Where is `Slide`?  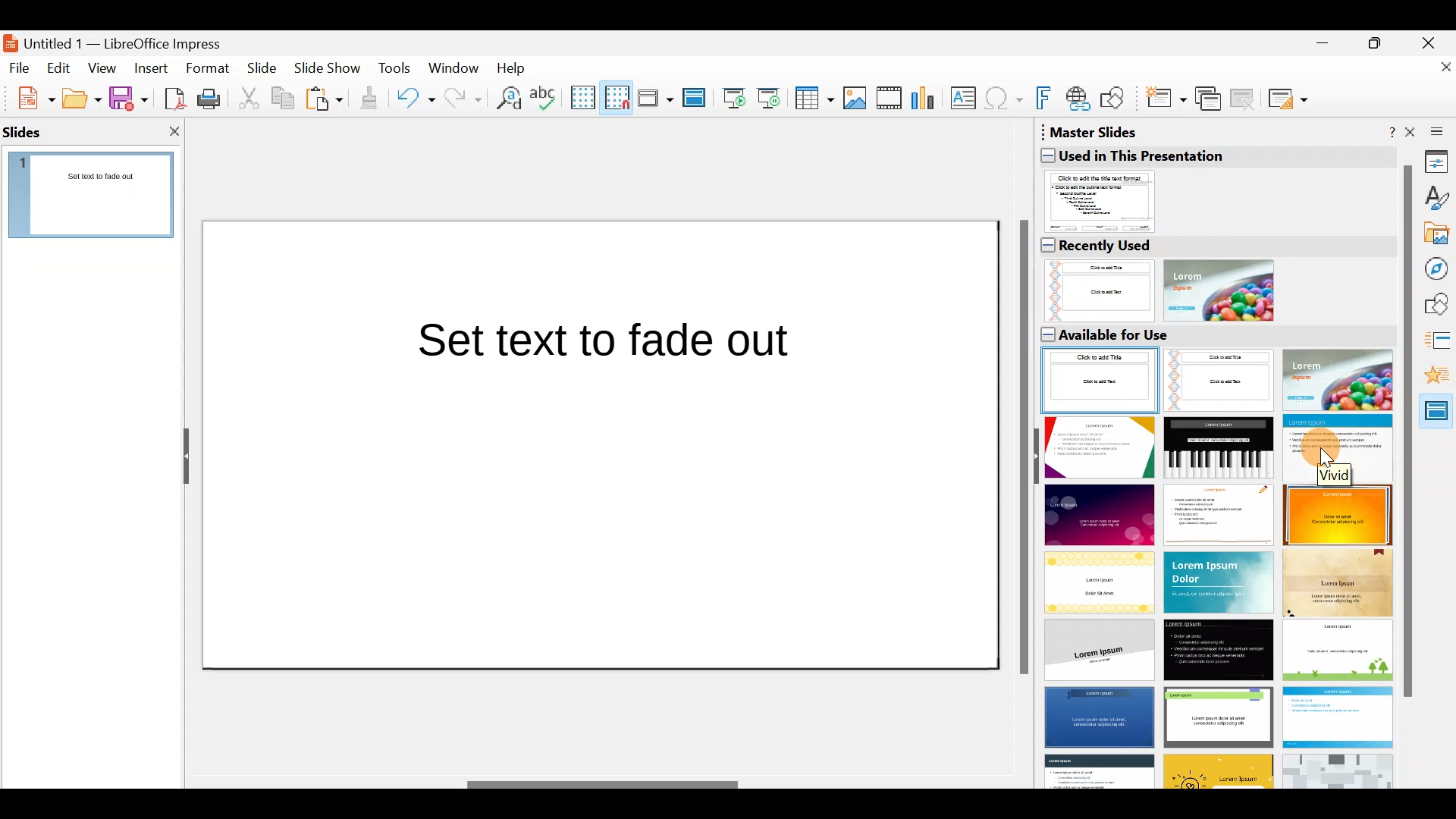
Slide is located at coordinates (264, 69).